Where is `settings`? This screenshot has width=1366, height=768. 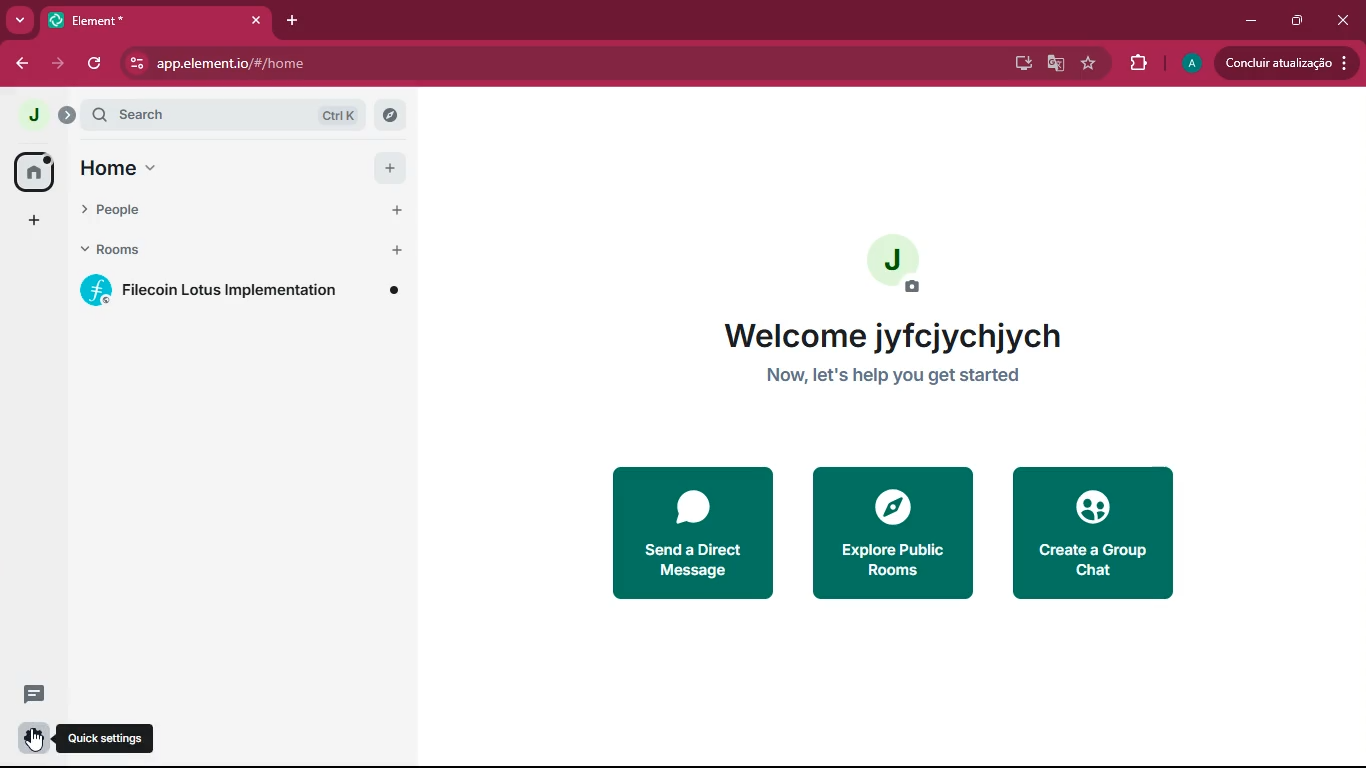 settings is located at coordinates (32, 740).